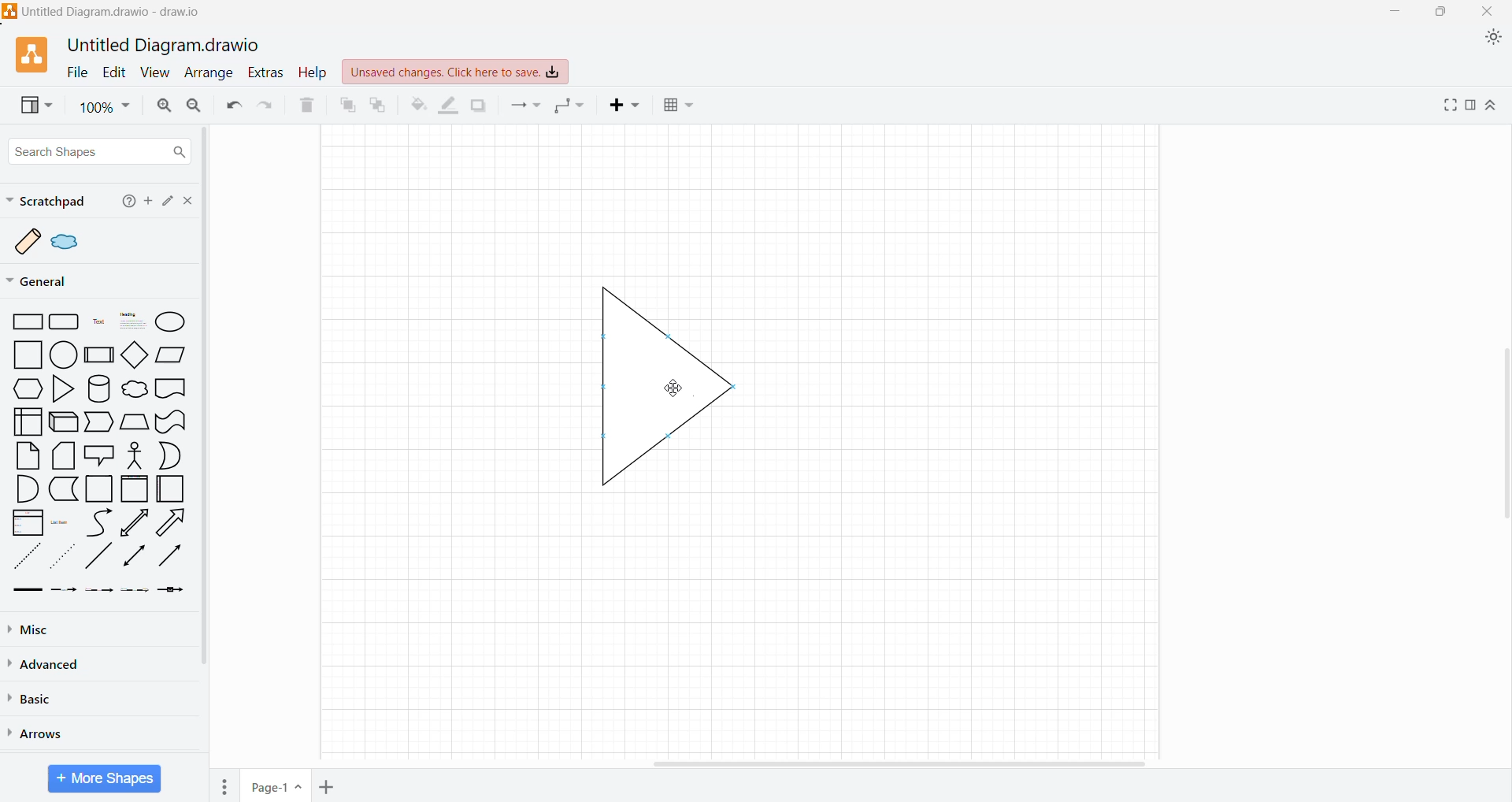 Image resolution: width=1512 pixels, height=802 pixels. What do you see at coordinates (1492, 104) in the screenshot?
I see `Expand/Collapse` at bounding box center [1492, 104].